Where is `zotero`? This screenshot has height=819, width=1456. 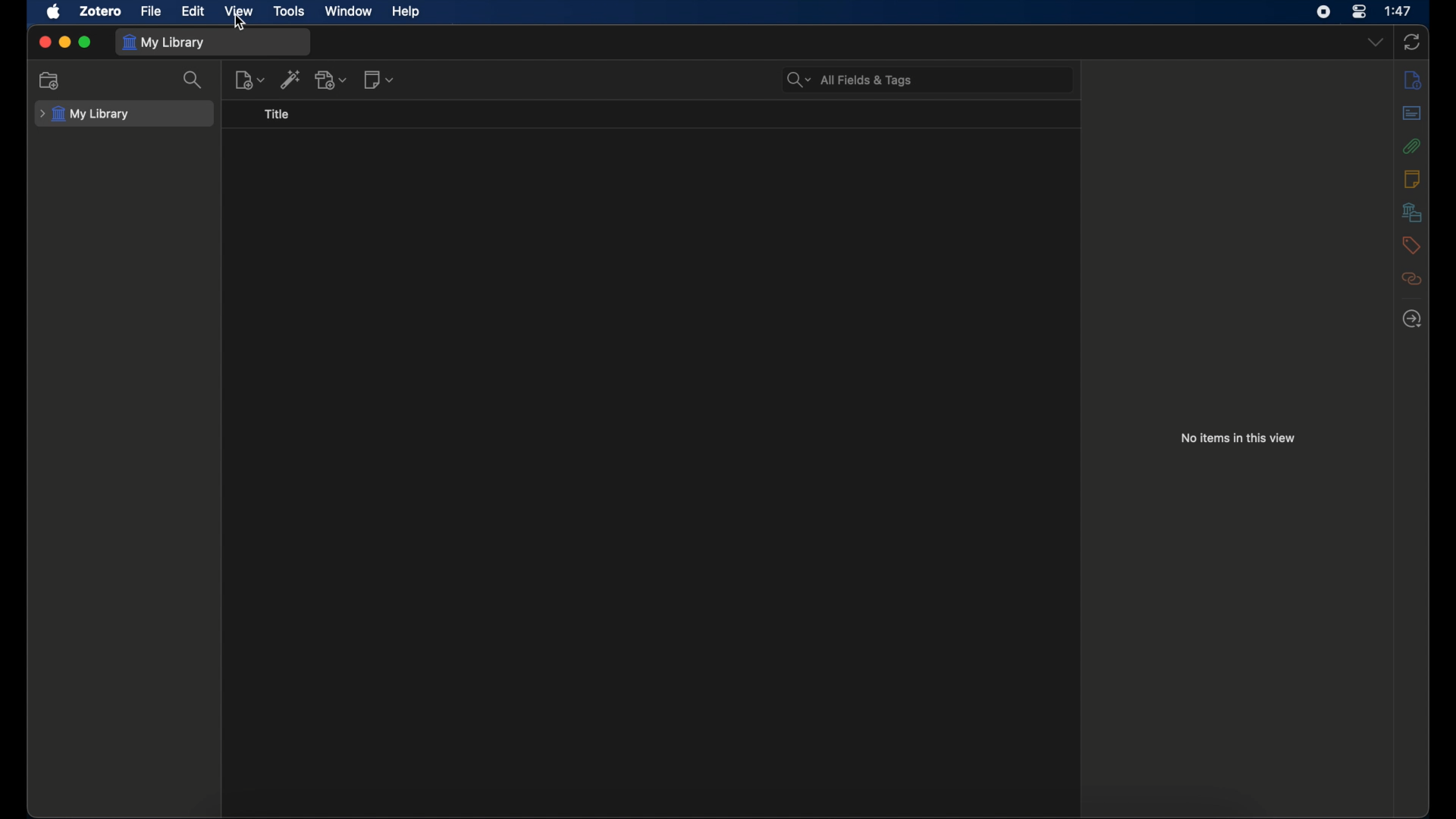 zotero is located at coordinates (99, 11).